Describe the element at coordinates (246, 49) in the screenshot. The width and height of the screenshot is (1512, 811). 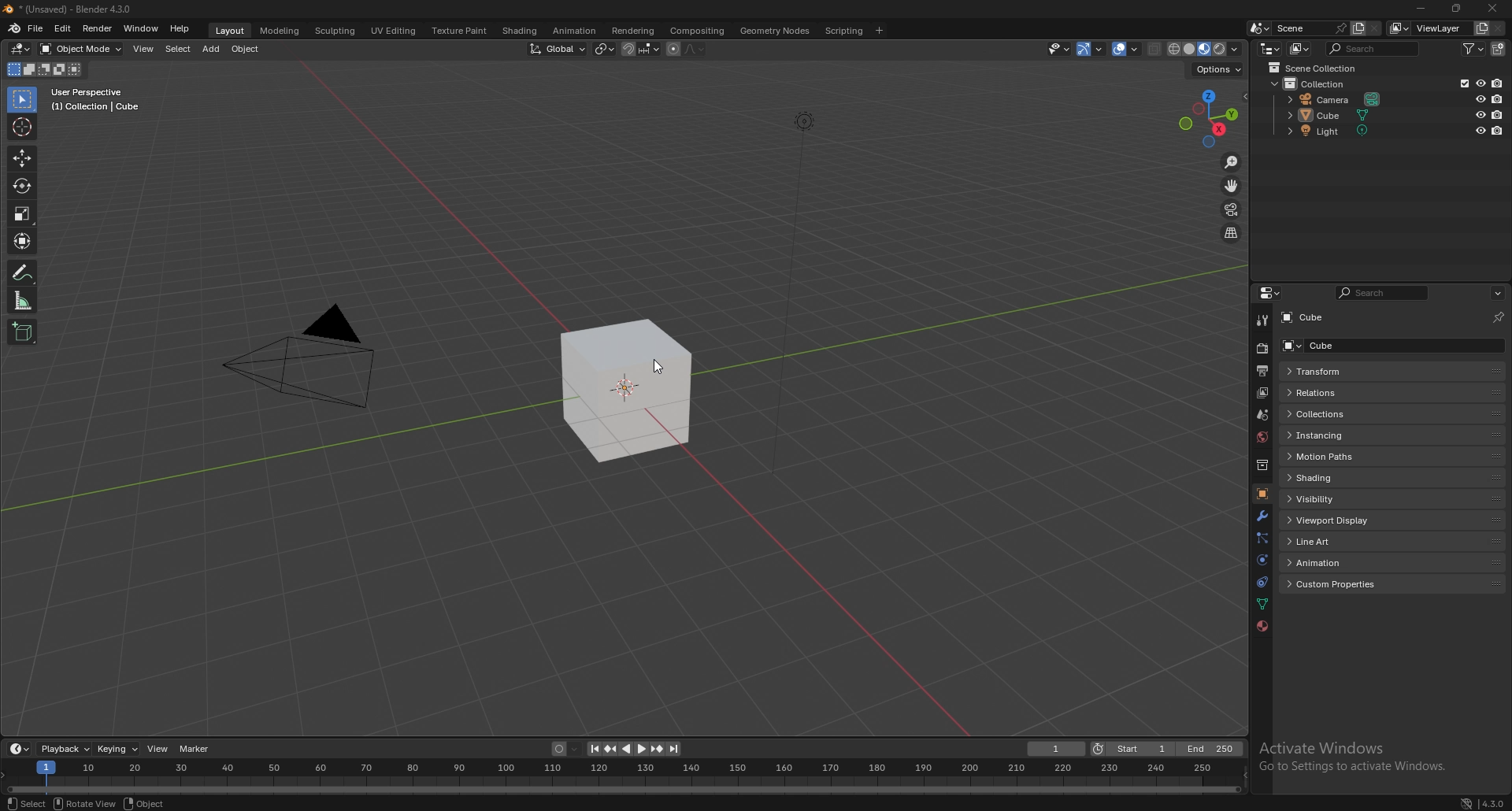
I see `object` at that location.